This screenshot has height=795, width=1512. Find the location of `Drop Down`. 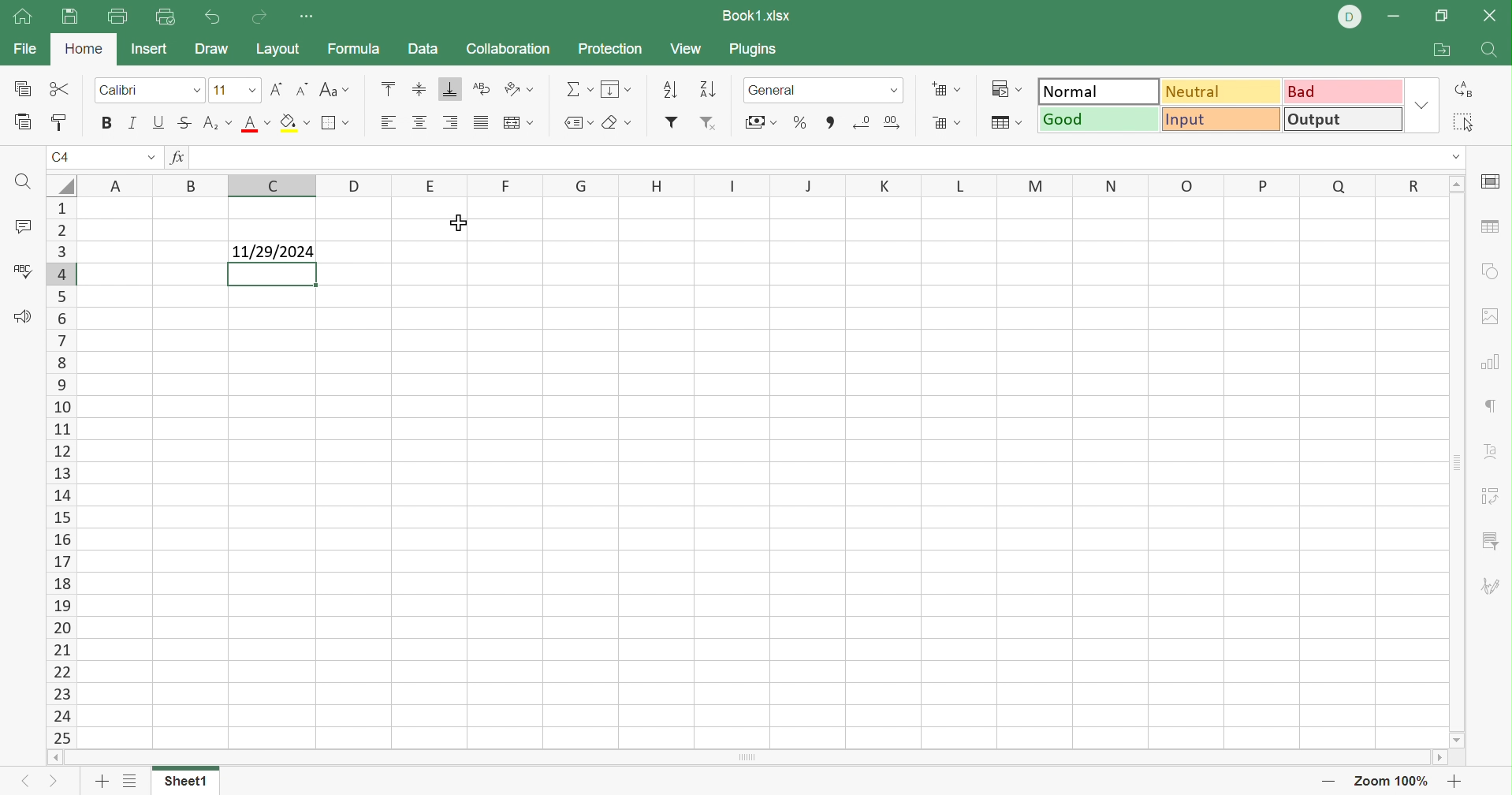

Drop Down is located at coordinates (149, 155).